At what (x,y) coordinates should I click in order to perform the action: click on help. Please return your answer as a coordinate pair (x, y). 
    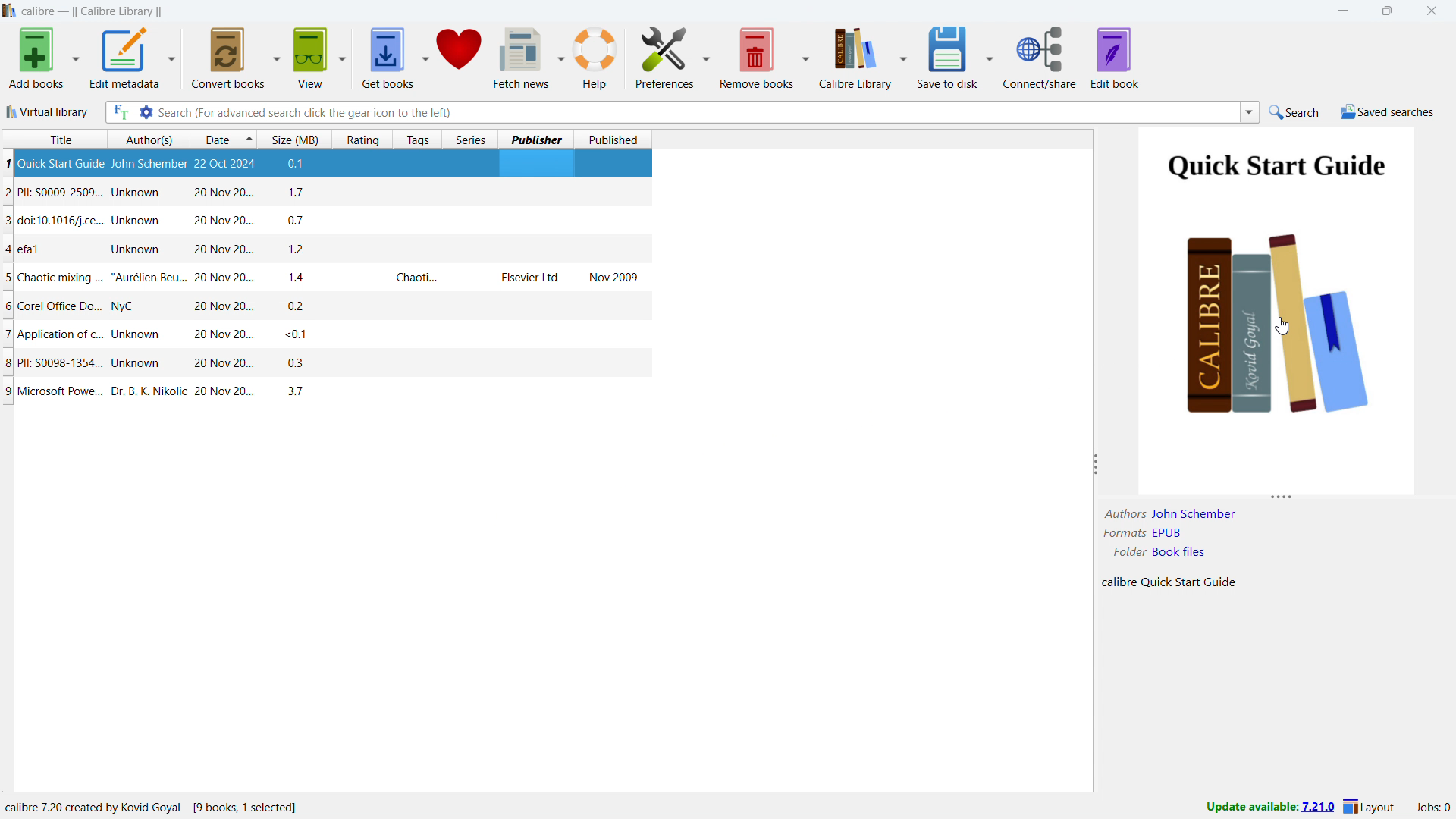
    Looking at the image, I should click on (594, 58).